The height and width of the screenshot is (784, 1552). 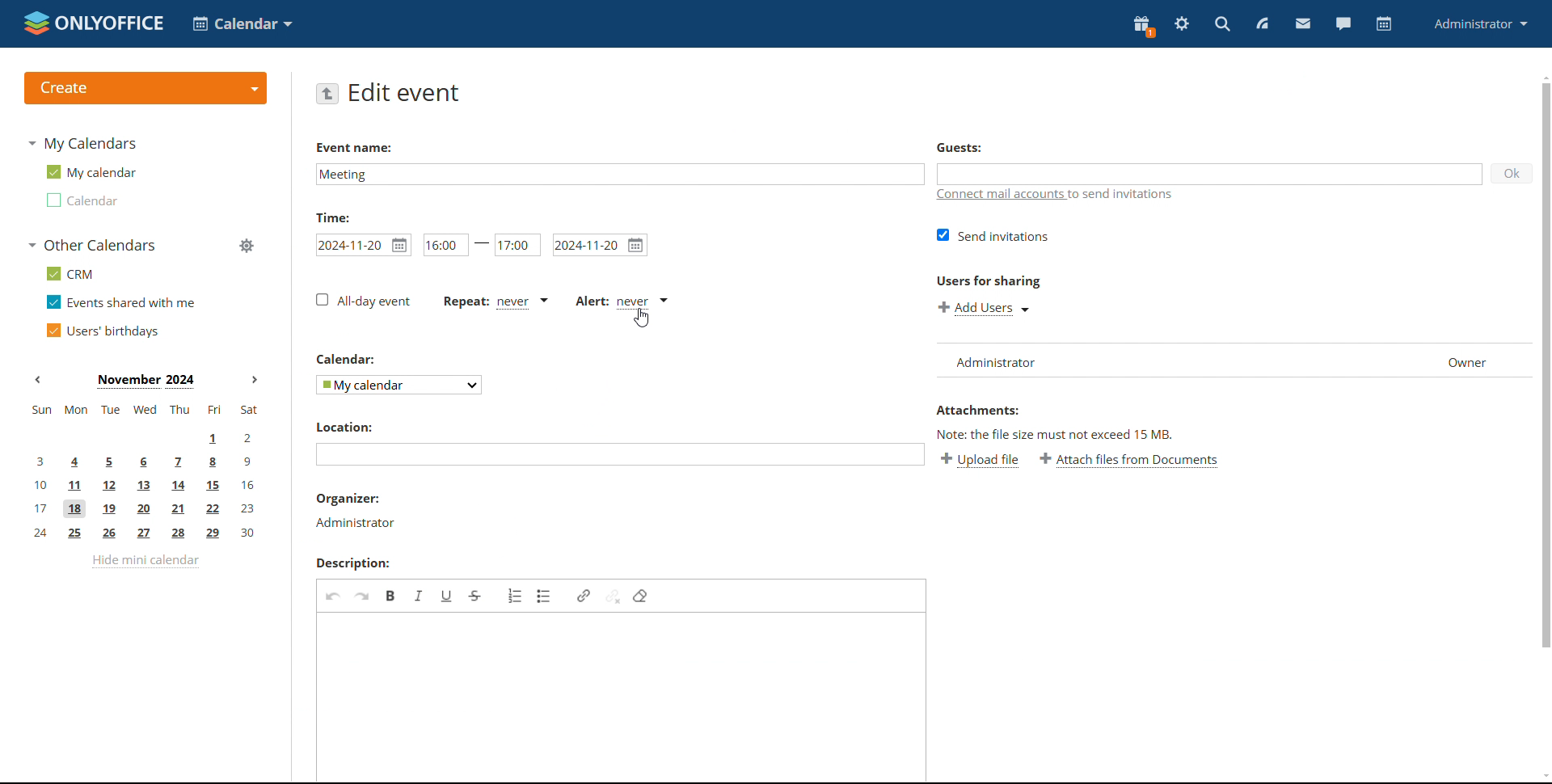 What do you see at coordinates (80, 200) in the screenshot?
I see `second calendar` at bounding box center [80, 200].